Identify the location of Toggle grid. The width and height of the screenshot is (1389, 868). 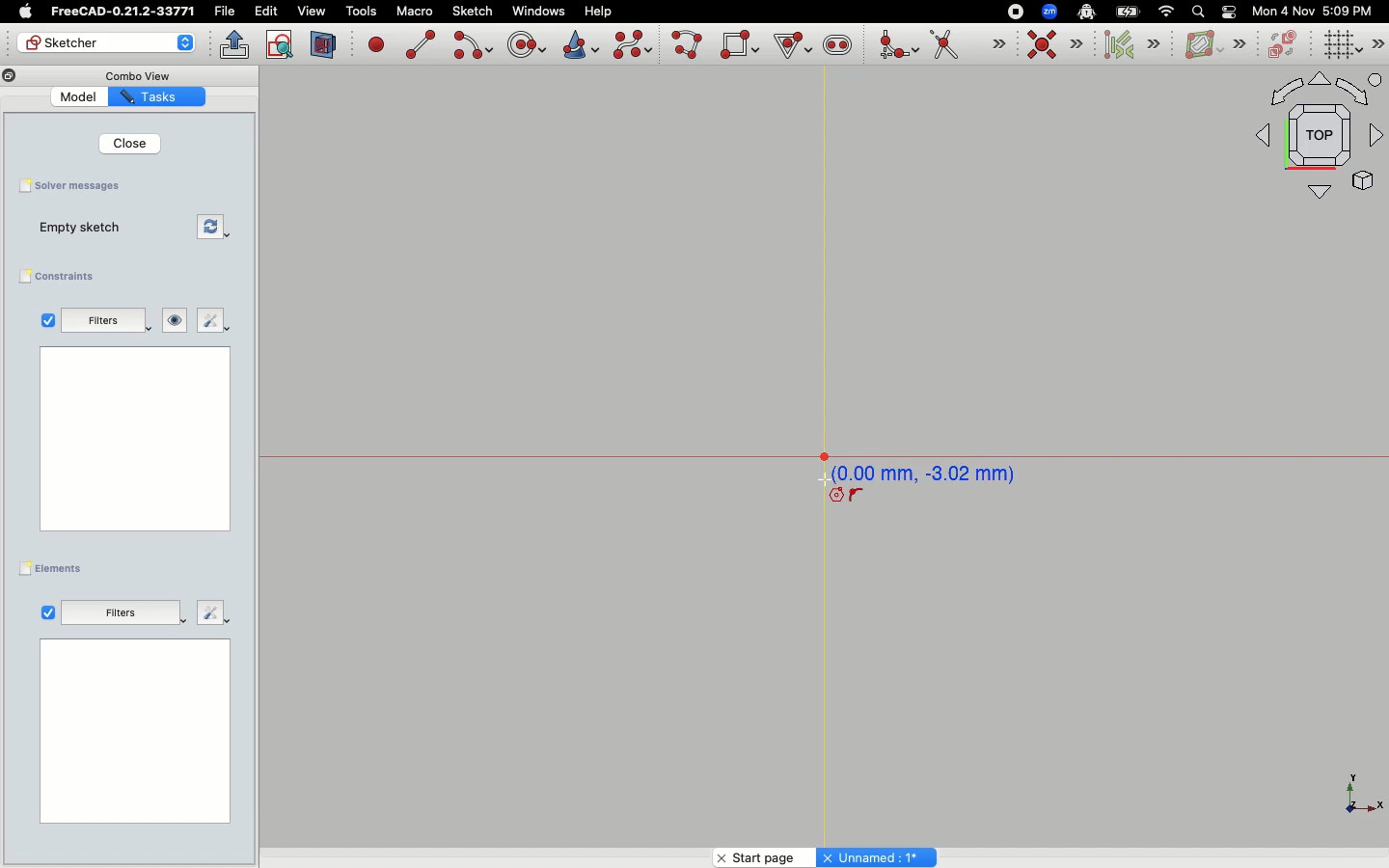
(1343, 44).